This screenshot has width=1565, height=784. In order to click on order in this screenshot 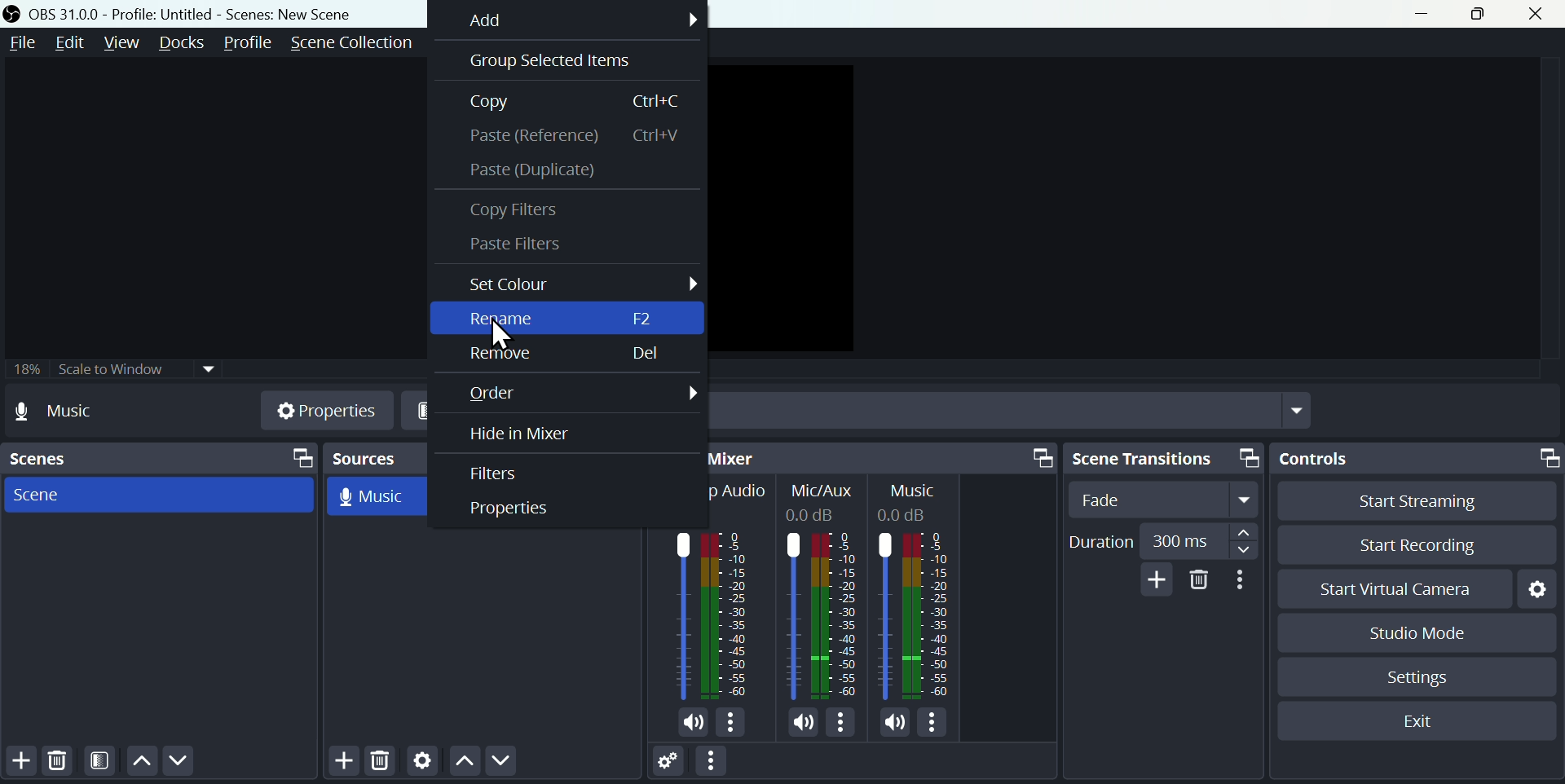, I will do `click(580, 395)`.